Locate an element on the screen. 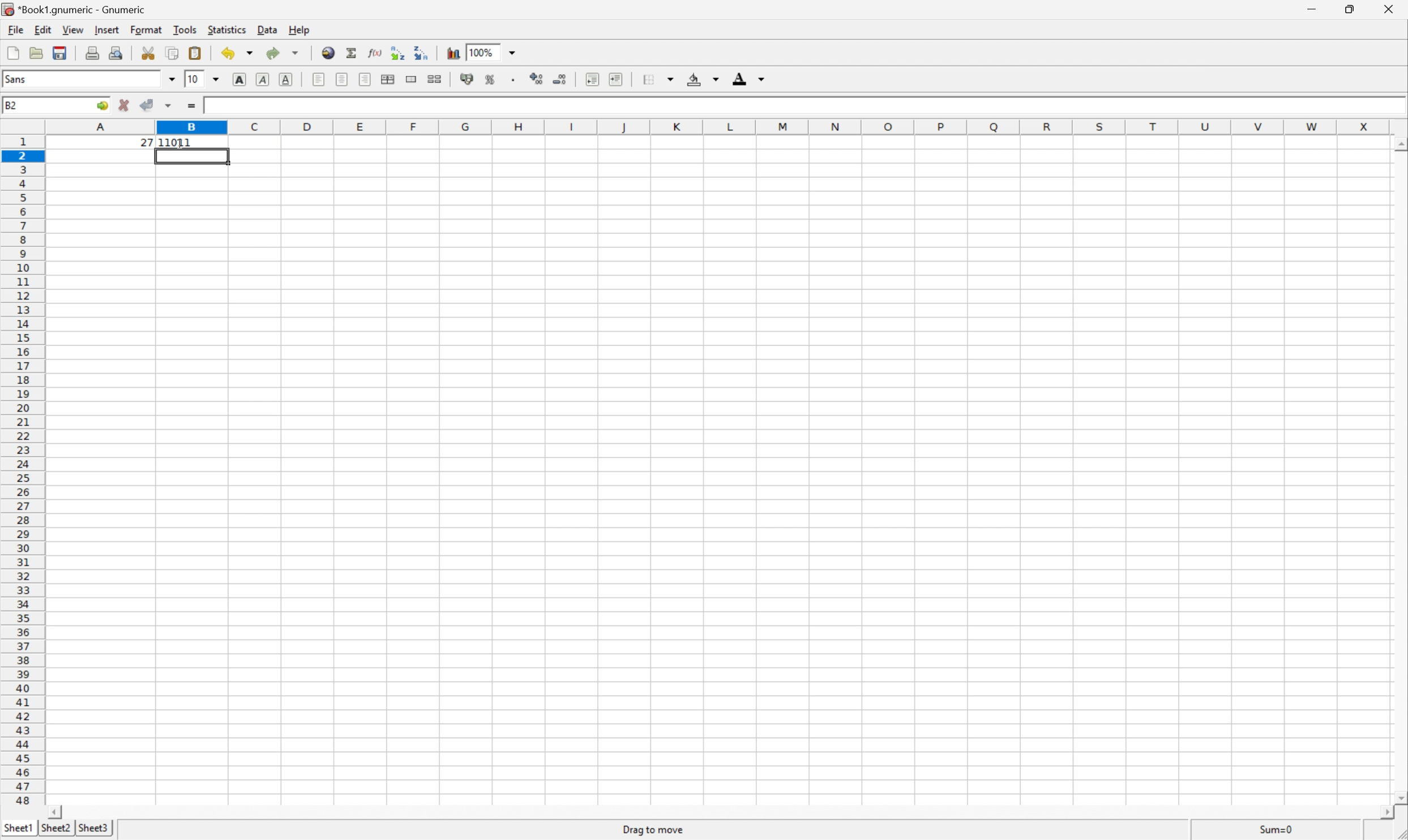 Image resolution: width=1408 pixels, height=840 pixels. Sum in current cell is located at coordinates (354, 54).